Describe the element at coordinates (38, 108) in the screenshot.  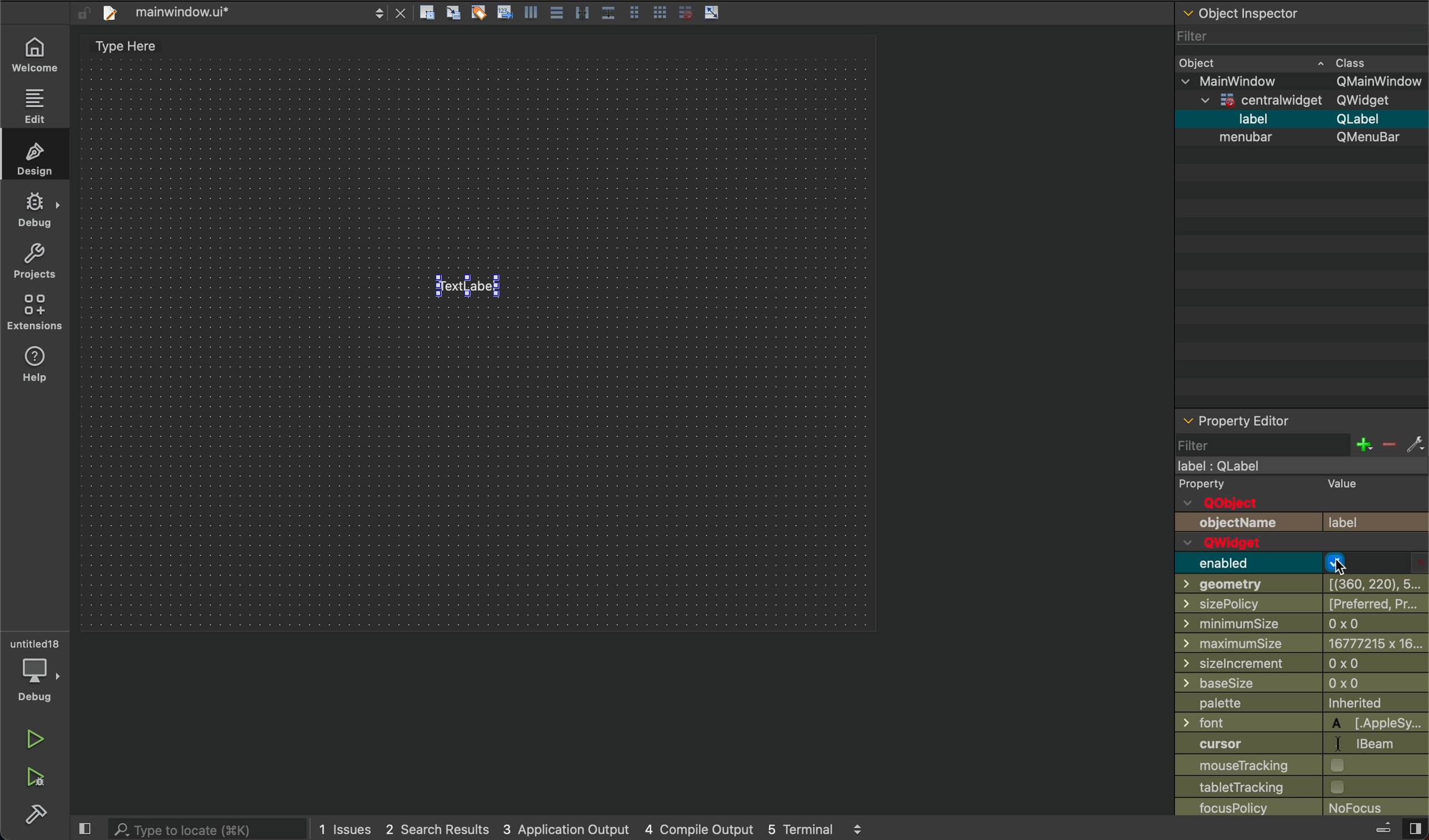
I see `edit` at that location.